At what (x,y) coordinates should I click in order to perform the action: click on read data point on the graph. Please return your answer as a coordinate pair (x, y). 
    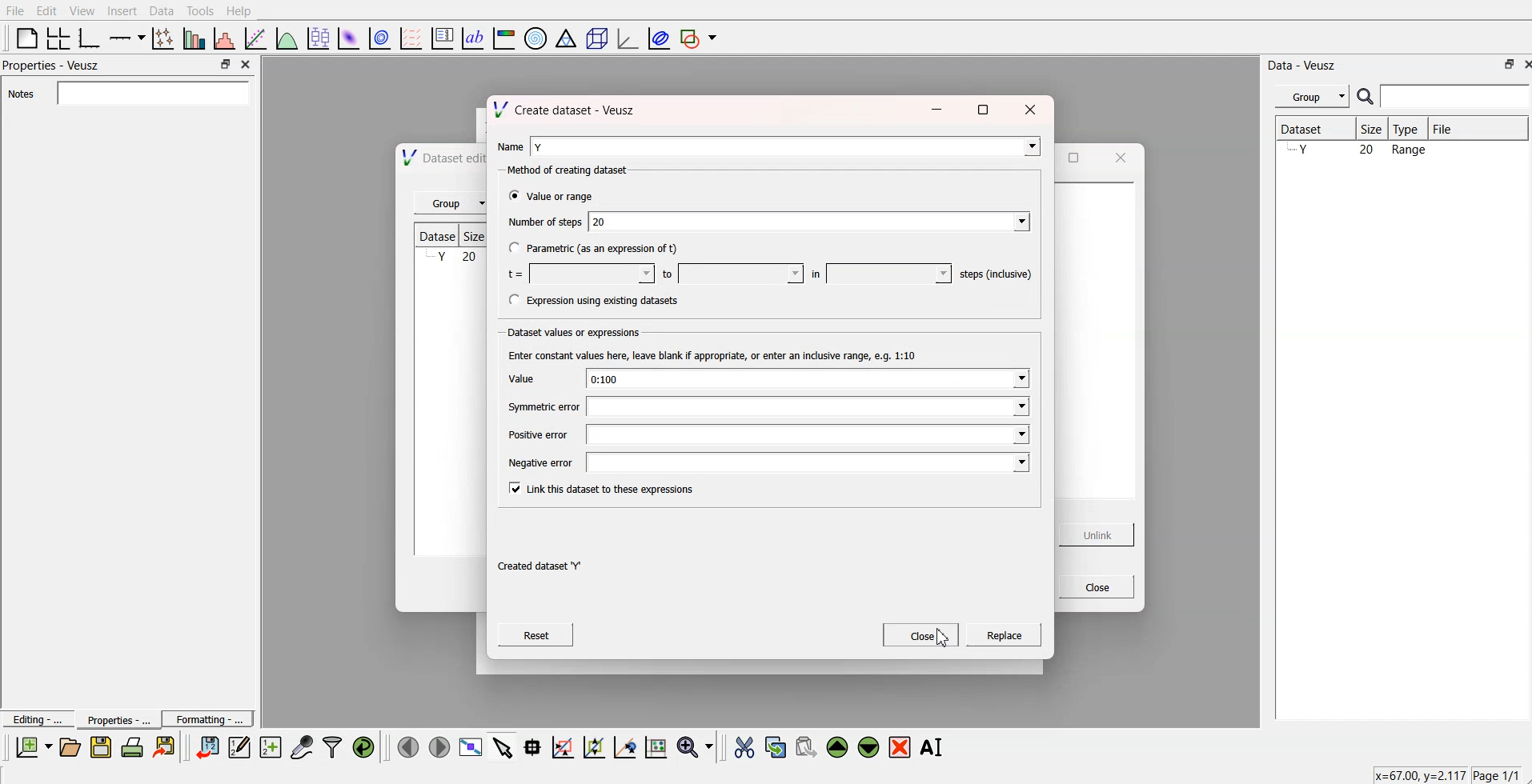
    Looking at the image, I should click on (534, 746).